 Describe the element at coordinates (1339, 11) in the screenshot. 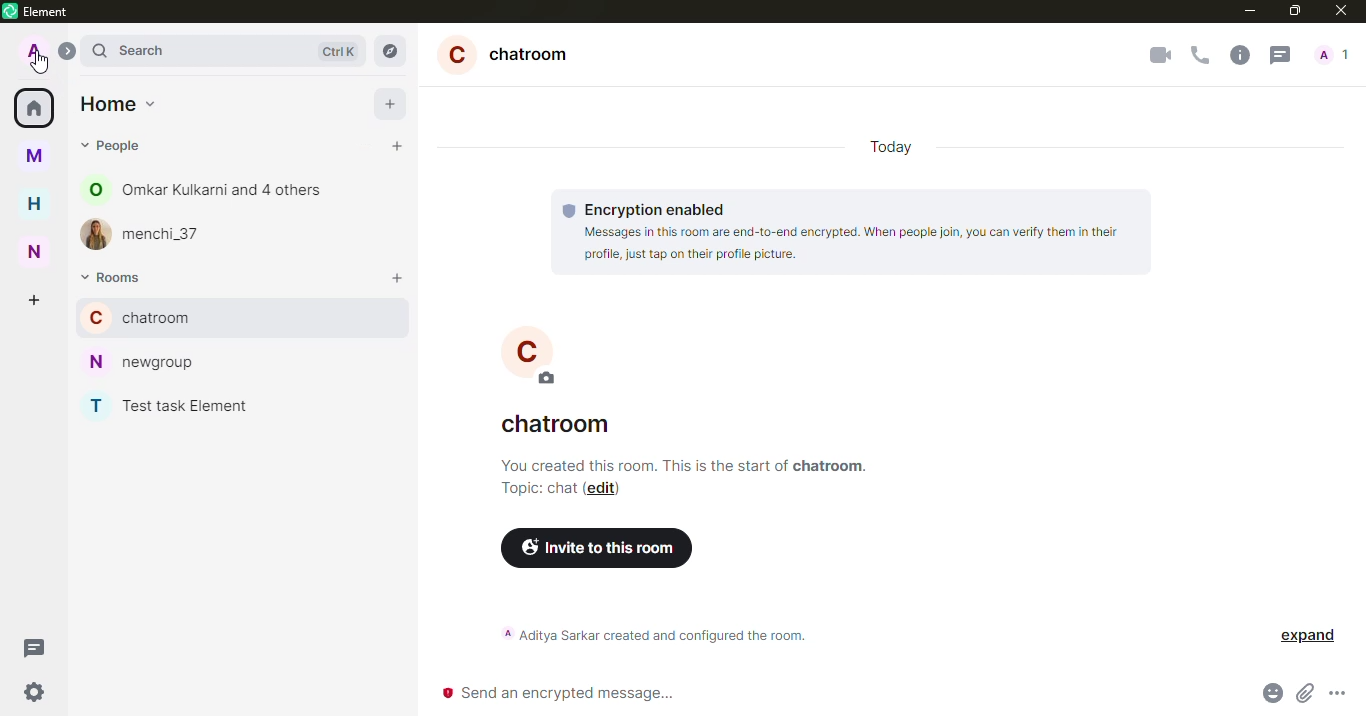

I see `close` at that location.